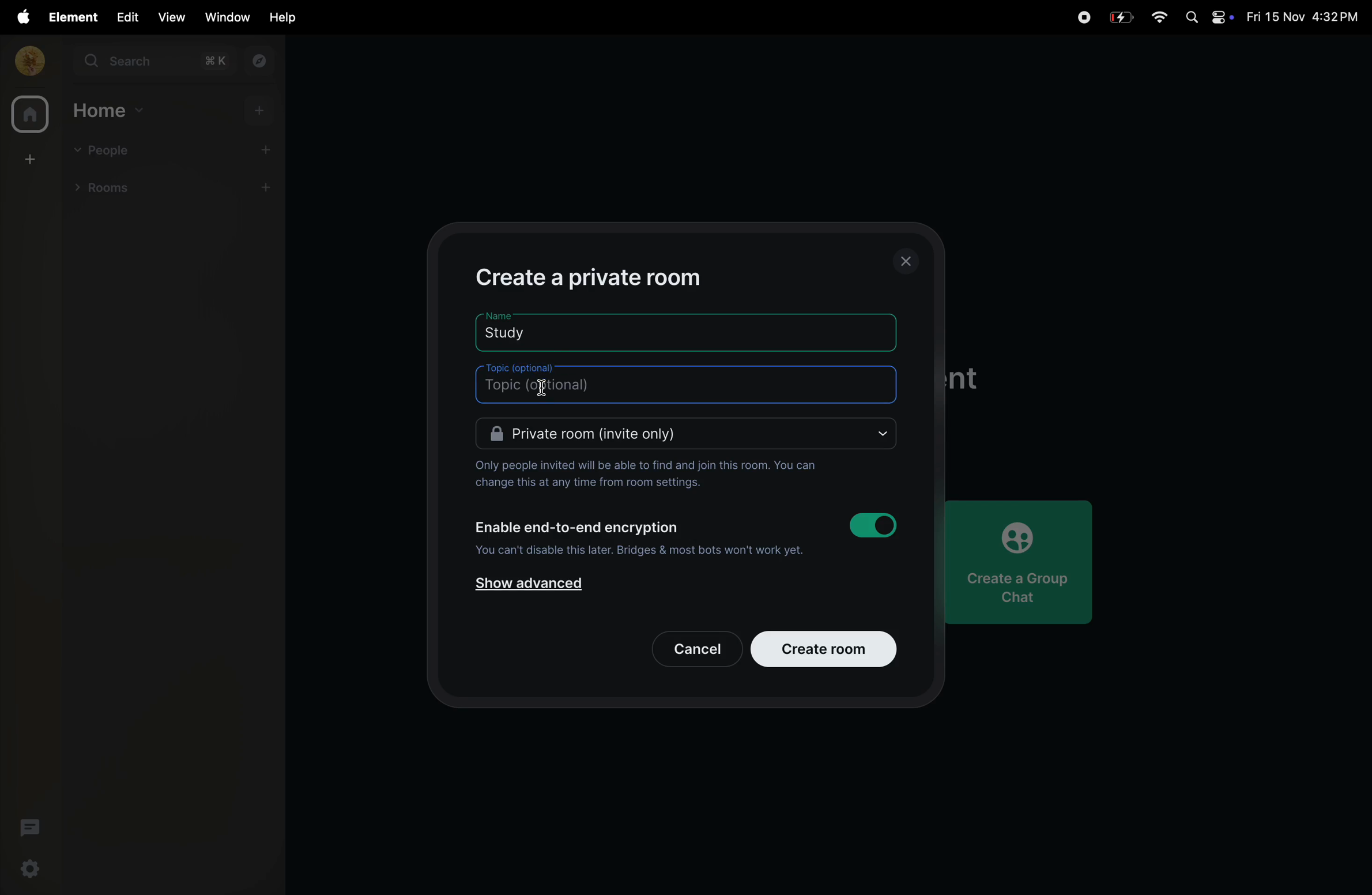 Image resolution: width=1372 pixels, height=895 pixels. What do you see at coordinates (28, 160) in the screenshot?
I see `create room` at bounding box center [28, 160].